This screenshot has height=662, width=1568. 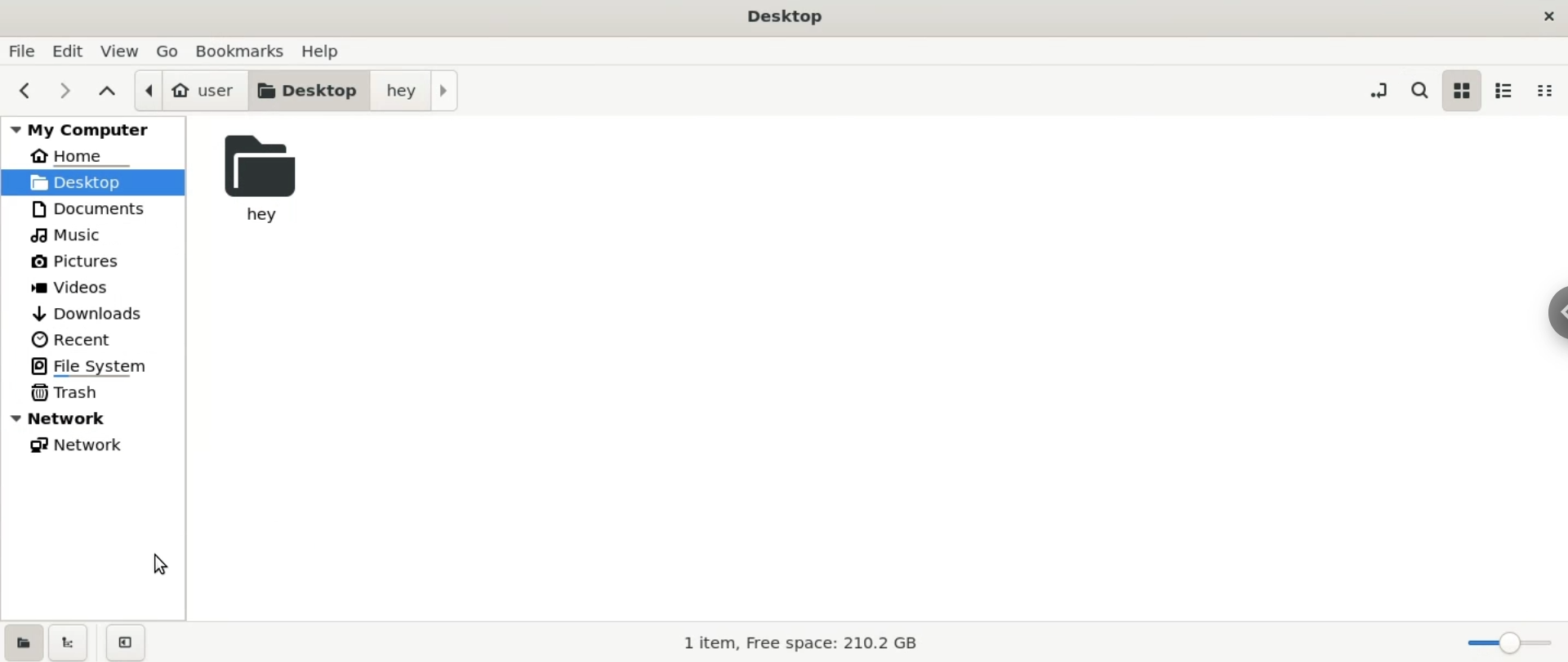 I want to click on home, so click(x=74, y=157).